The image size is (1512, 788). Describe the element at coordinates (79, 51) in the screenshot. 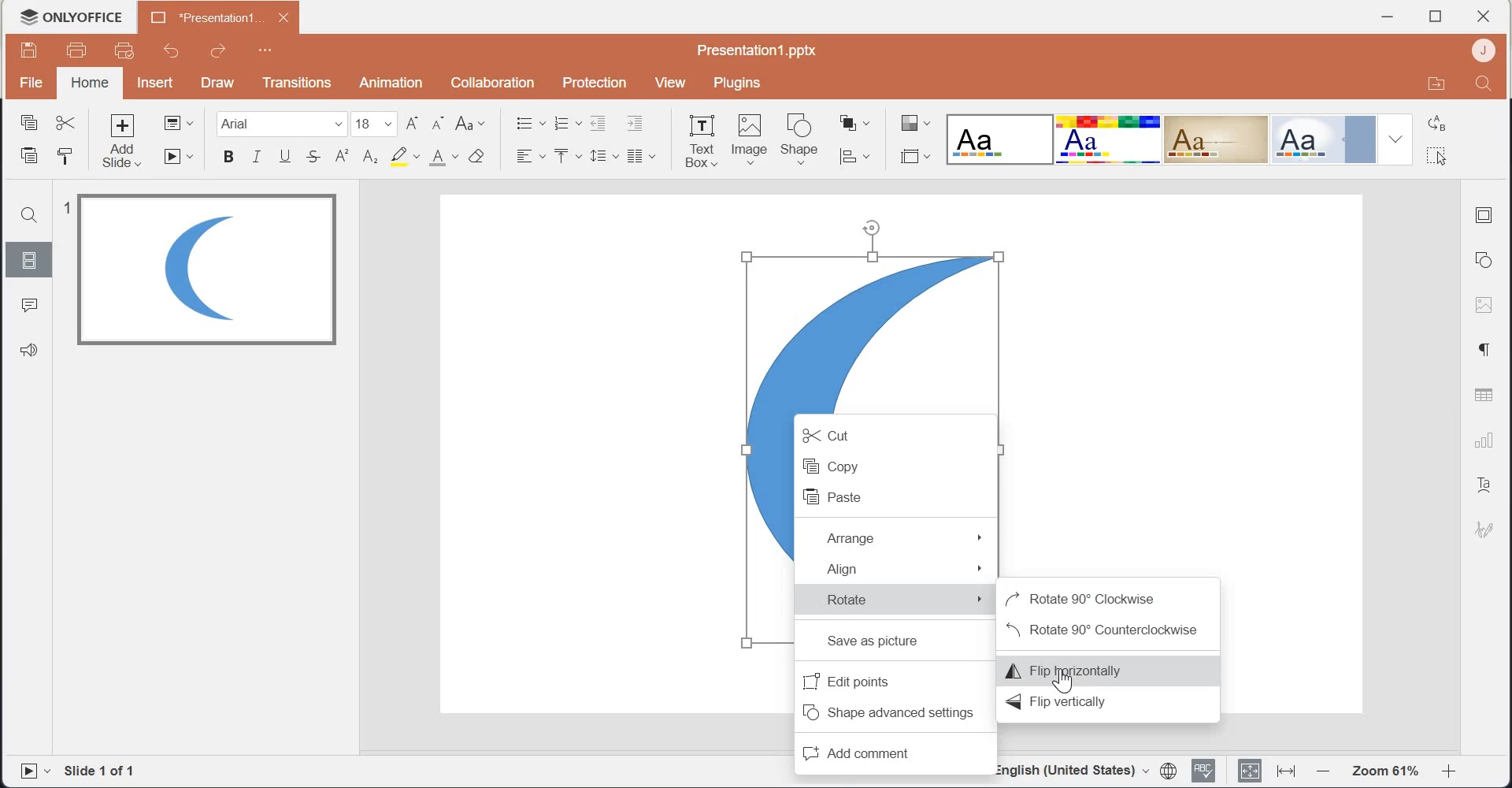

I see `Print file` at that location.